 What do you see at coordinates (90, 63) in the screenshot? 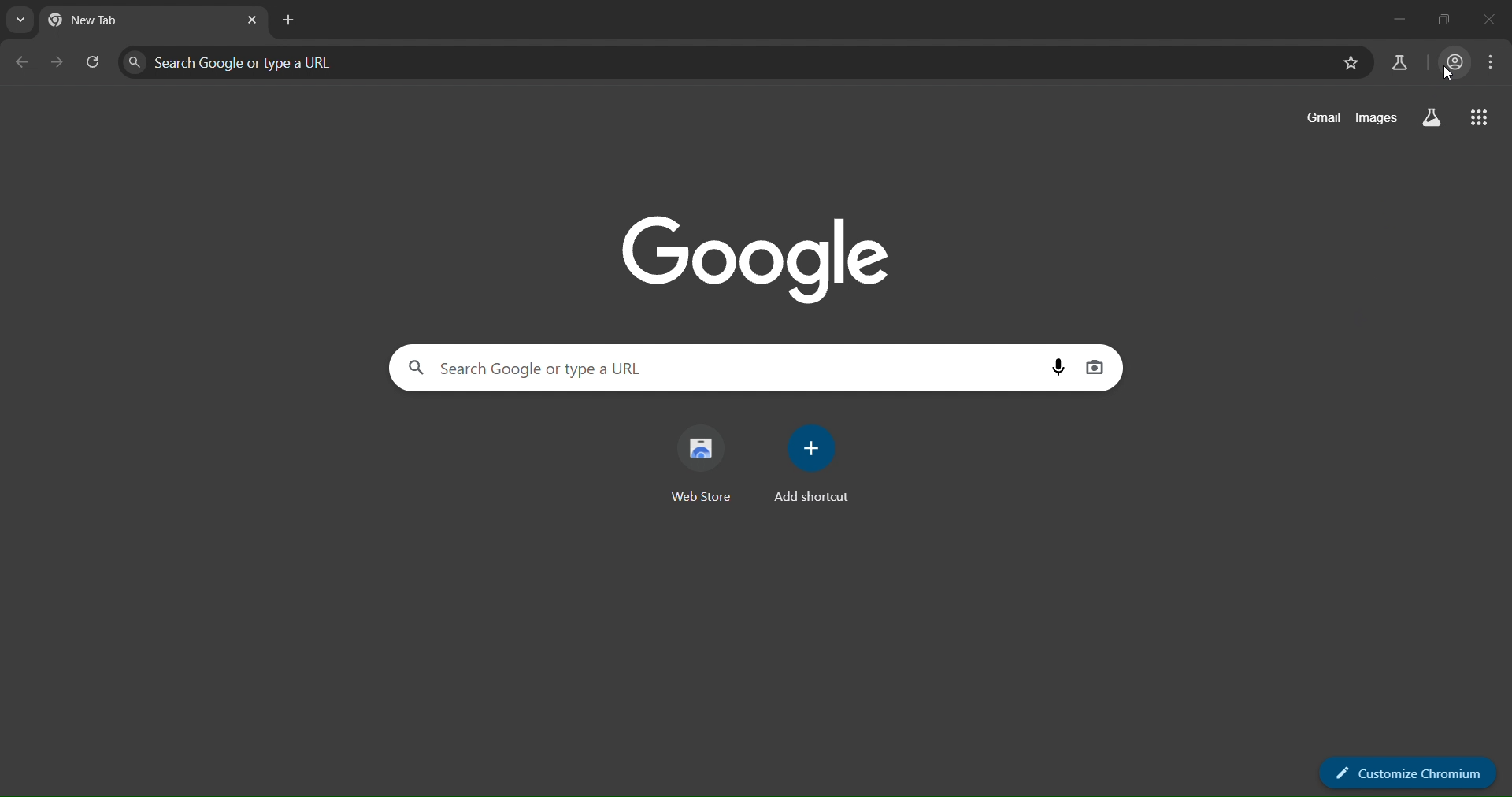
I see `reload` at bounding box center [90, 63].